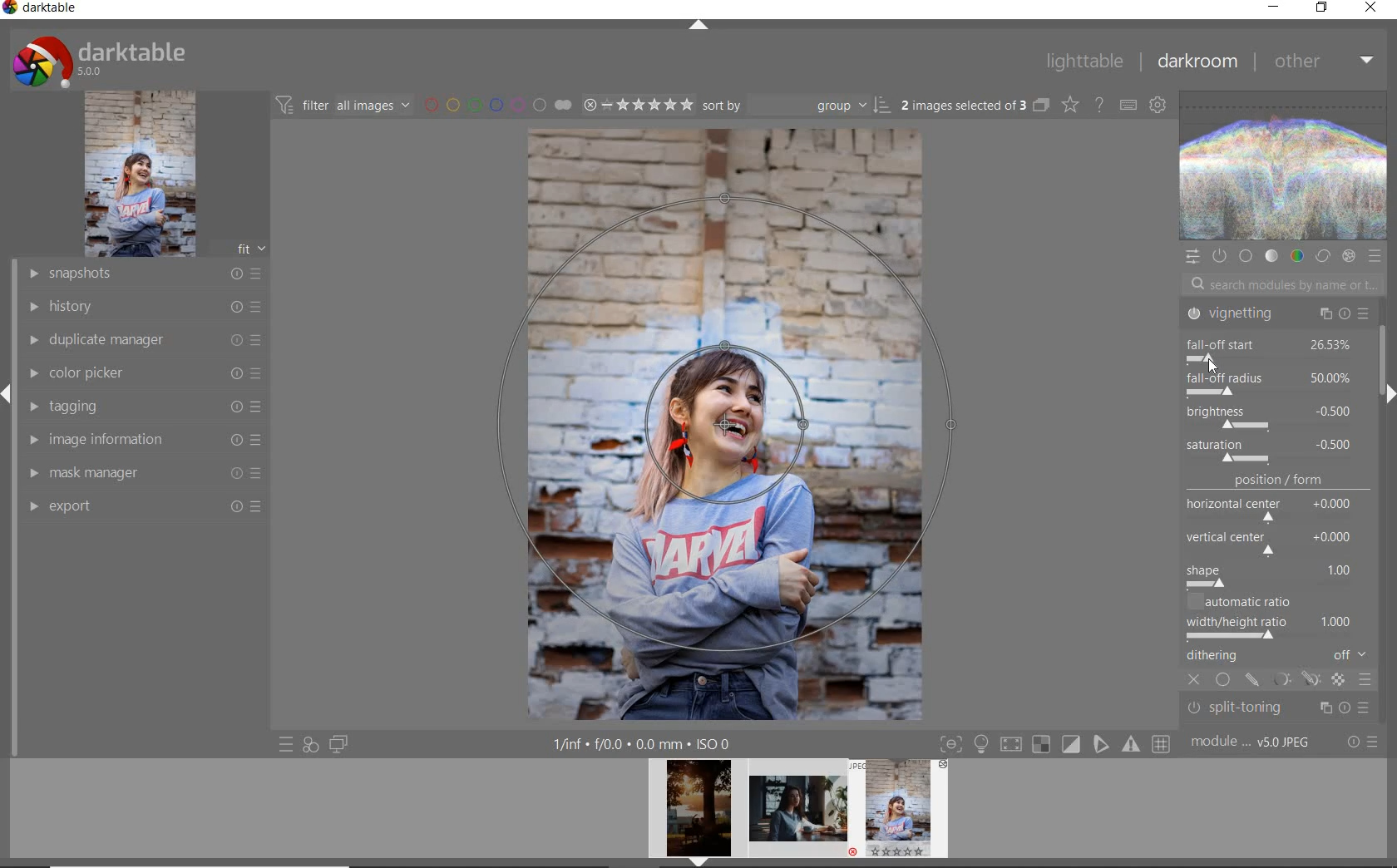  Describe the element at coordinates (1279, 318) in the screenshot. I see `graduated density` at that location.